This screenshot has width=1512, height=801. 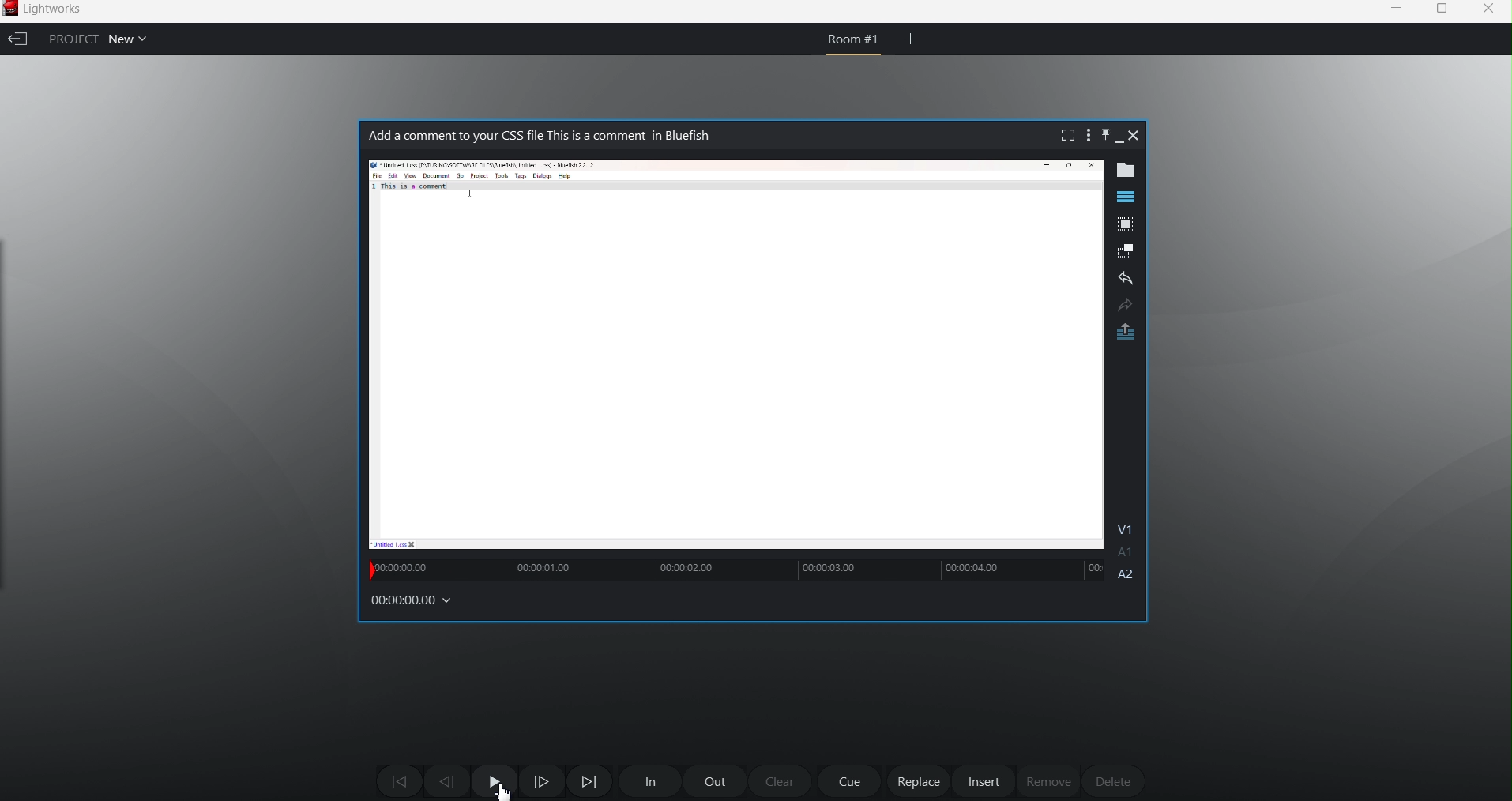 I want to click on show timeline, so click(x=1125, y=197).